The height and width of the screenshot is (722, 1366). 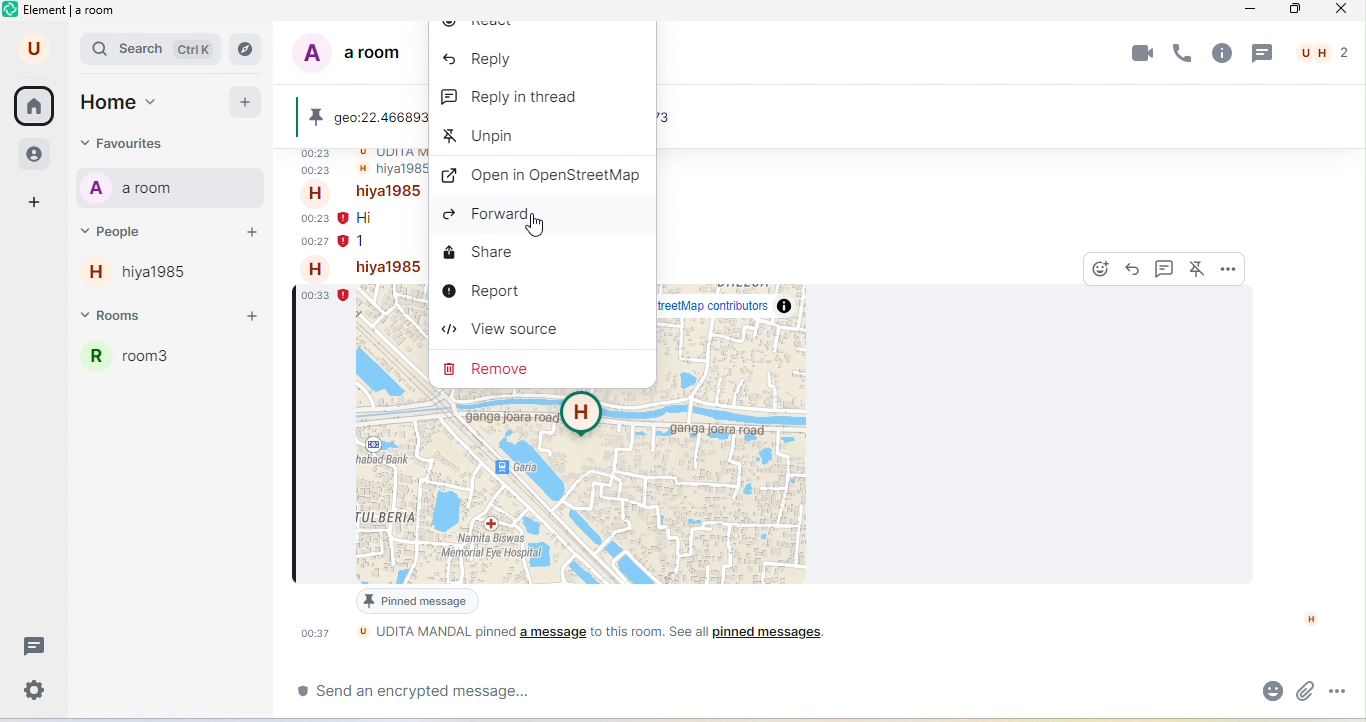 What do you see at coordinates (149, 277) in the screenshot?
I see `hiya 1985` at bounding box center [149, 277].